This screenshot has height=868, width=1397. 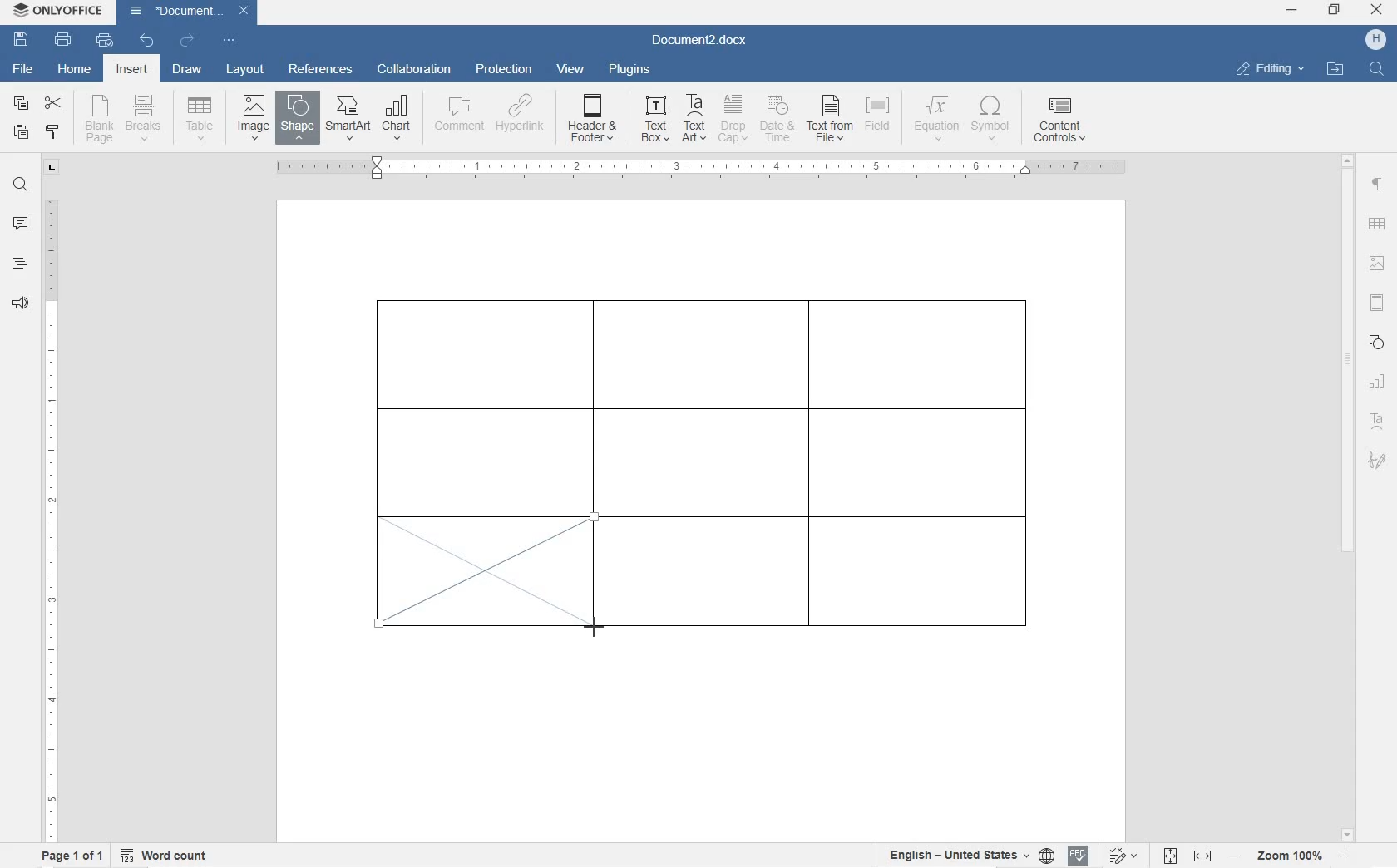 What do you see at coordinates (1380, 382) in the screenshot?
I see `chart settings` at bounding box center [1380, 382].